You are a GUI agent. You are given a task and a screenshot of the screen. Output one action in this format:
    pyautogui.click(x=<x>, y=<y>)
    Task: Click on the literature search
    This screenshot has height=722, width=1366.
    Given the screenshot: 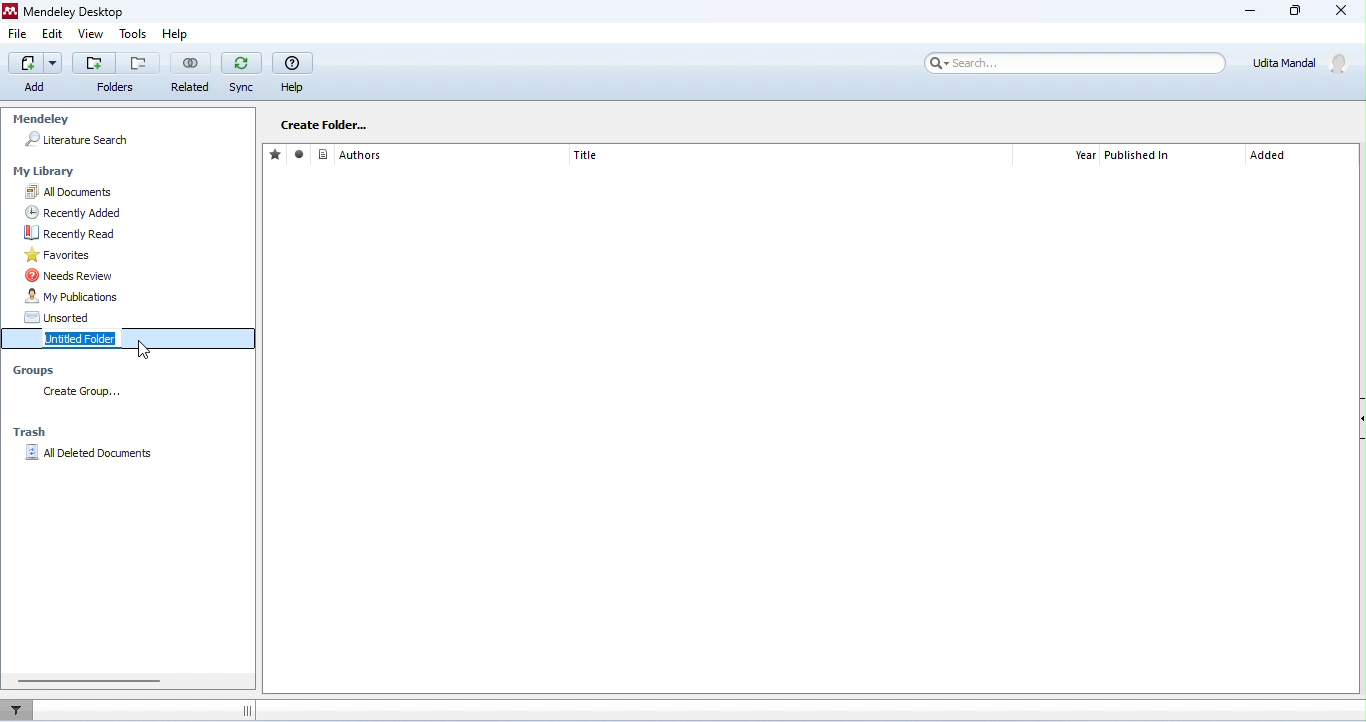 What is the action you would take?
    pyautogui.click(x=77, y=140)
    